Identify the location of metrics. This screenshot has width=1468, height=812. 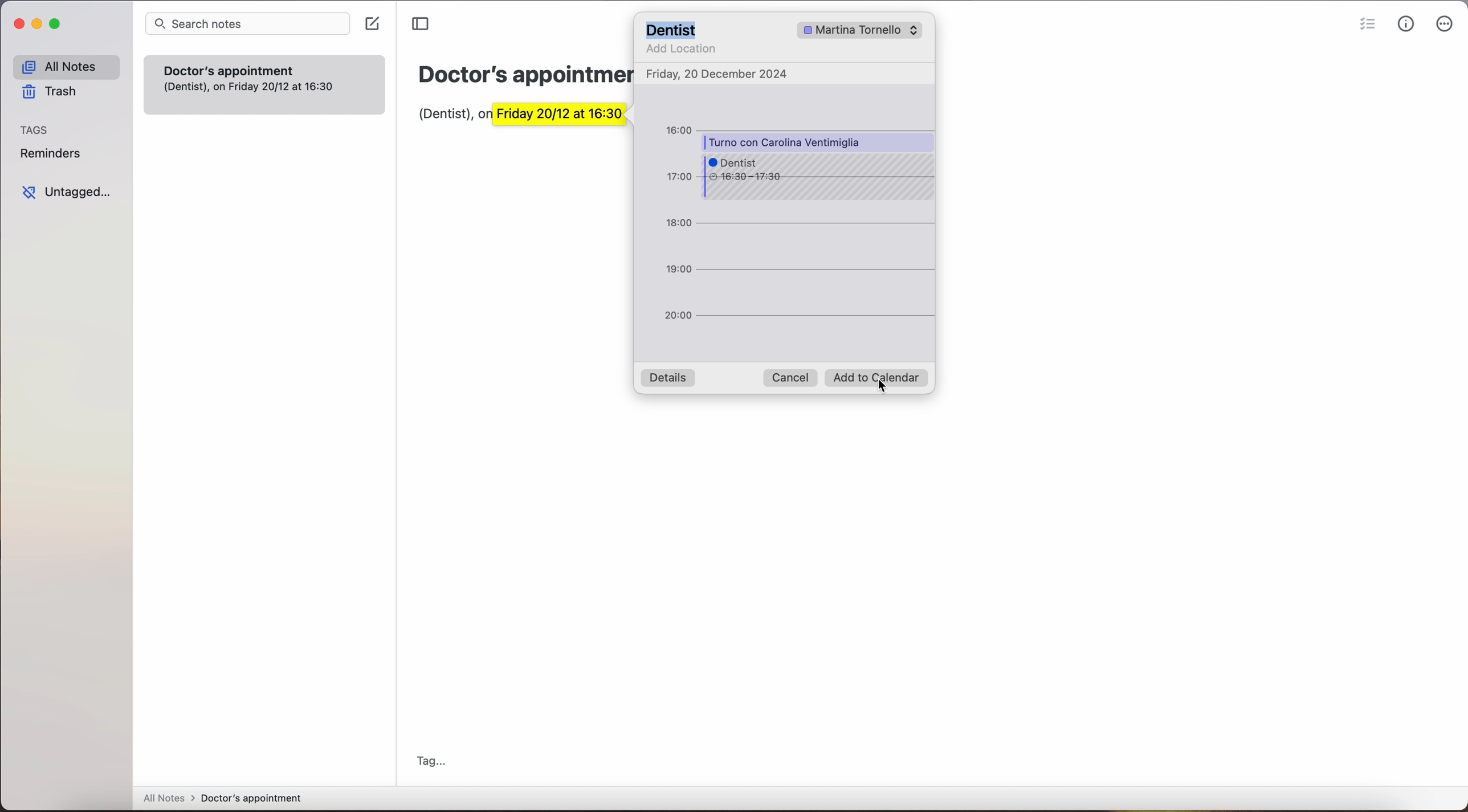
(1405, 26).